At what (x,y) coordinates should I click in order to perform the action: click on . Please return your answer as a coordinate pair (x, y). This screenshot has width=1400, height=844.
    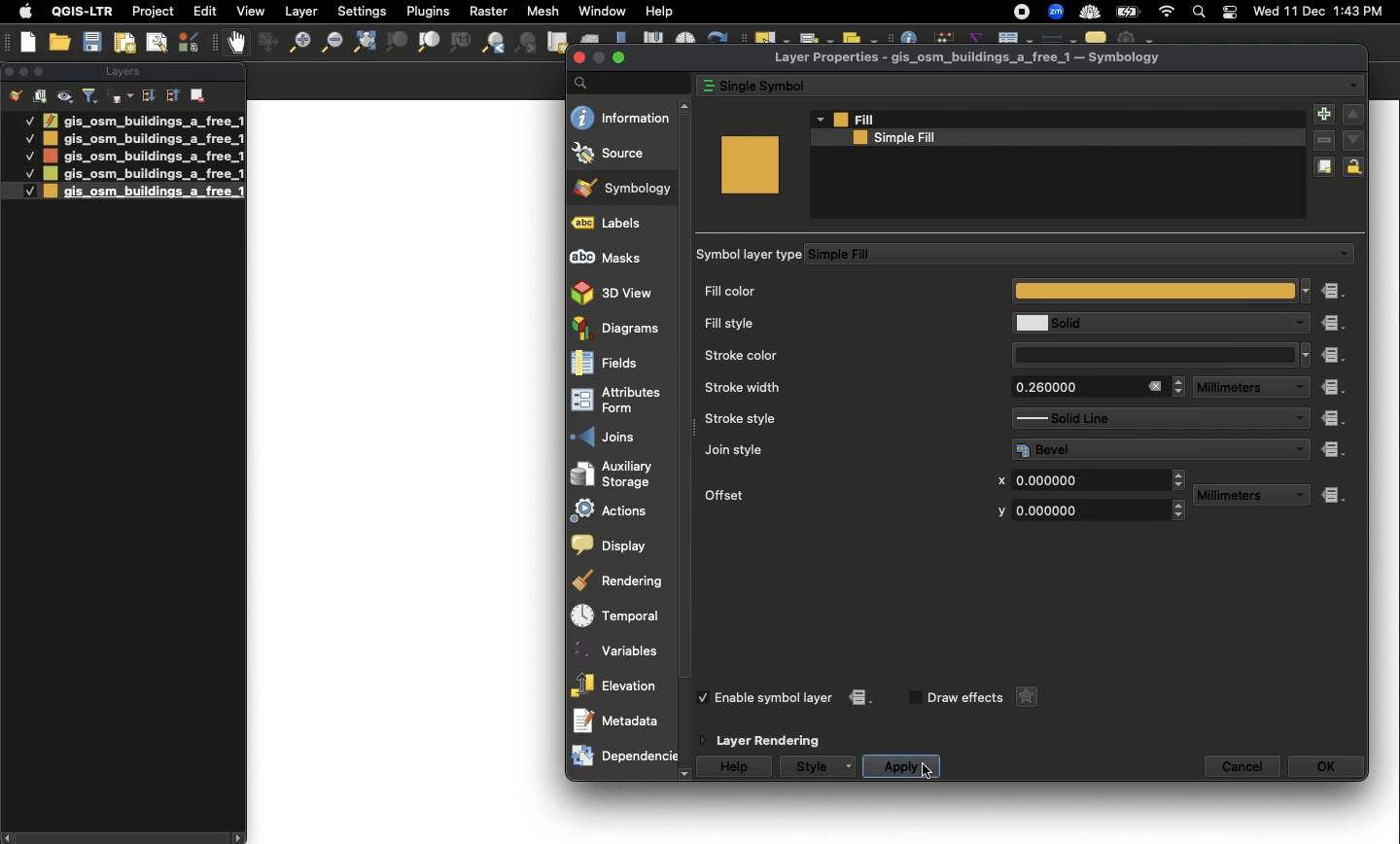
    Looking at the image, I should click on (1093, 14).